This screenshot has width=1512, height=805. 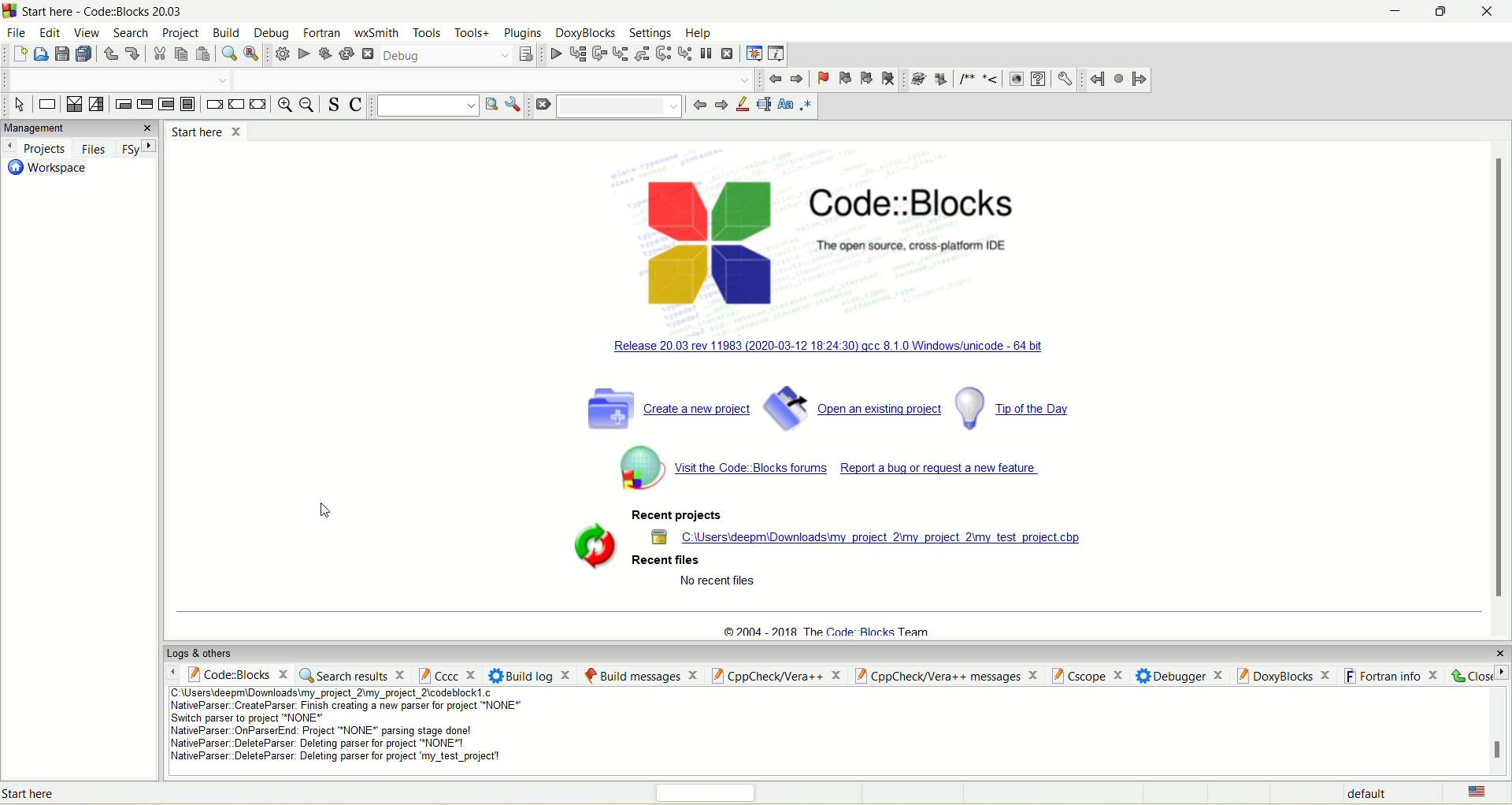 I want to click on jump forward, so click(x=1140, y=80).